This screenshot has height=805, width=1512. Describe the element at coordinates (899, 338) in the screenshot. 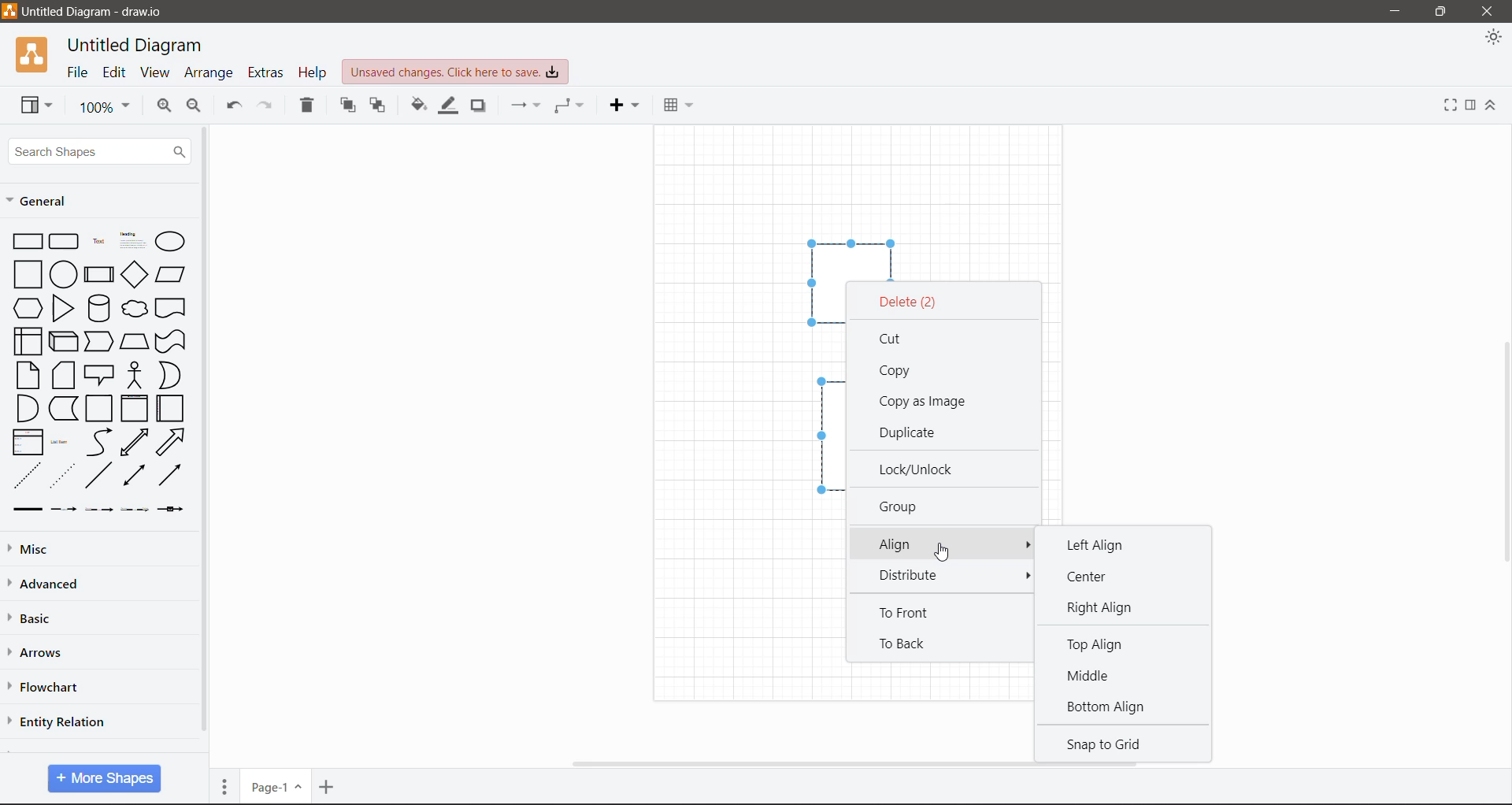

I see `Cut` at that location.